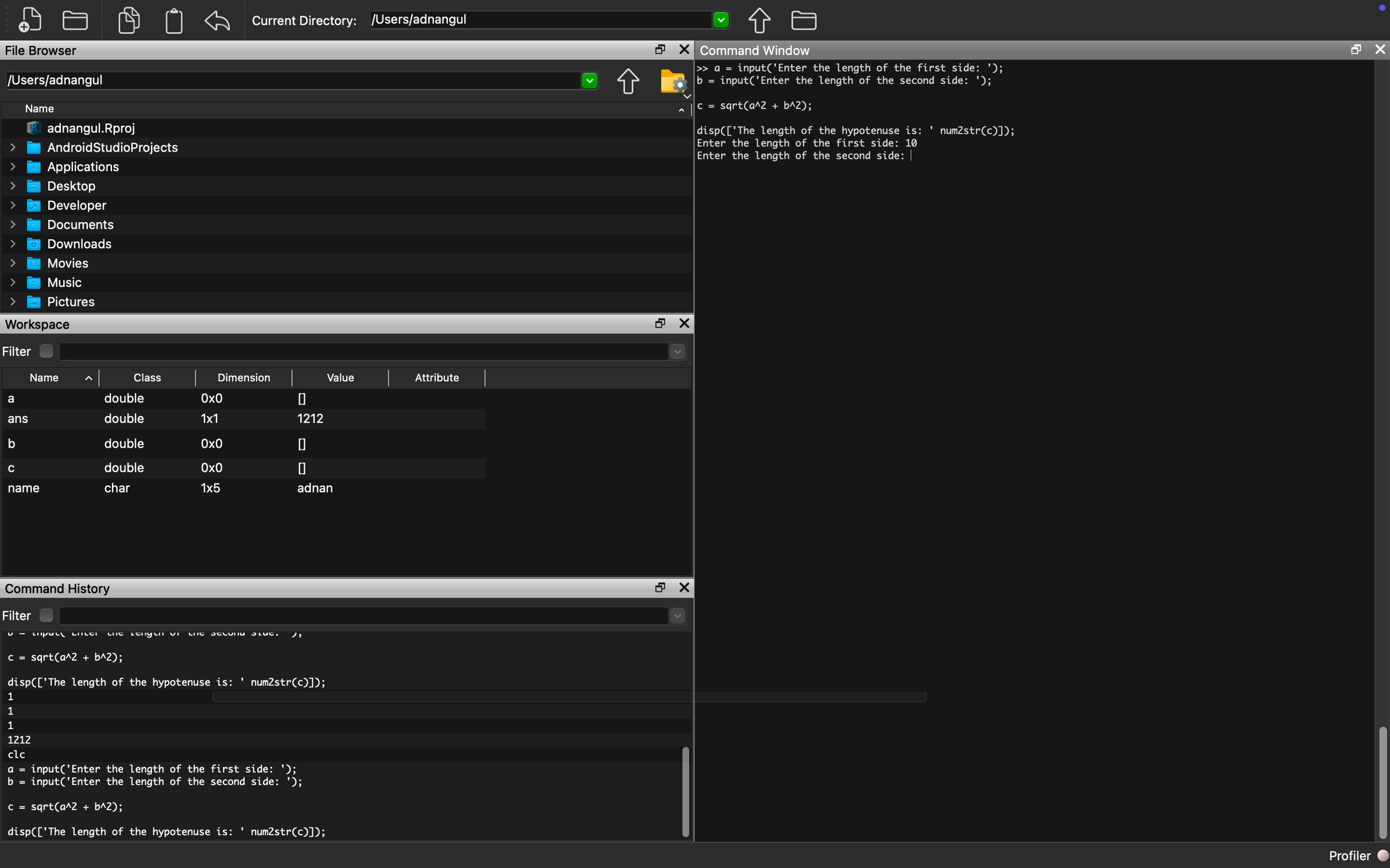  What do you see at coordinates (126, 400) in the screenshot?
I see `double` at bounding box center [126, 400].